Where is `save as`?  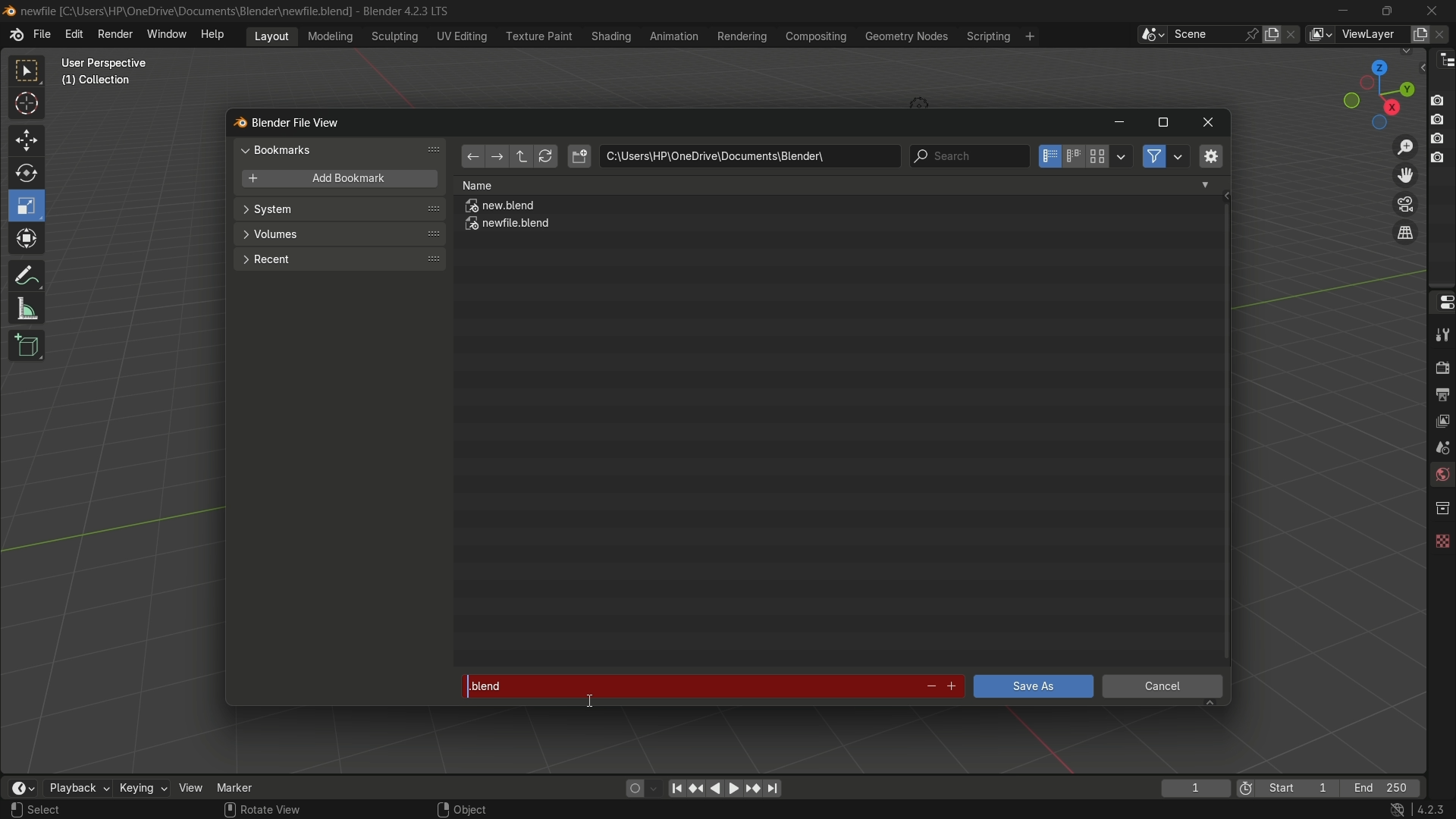
save as is located at coordinates (1032, 686).